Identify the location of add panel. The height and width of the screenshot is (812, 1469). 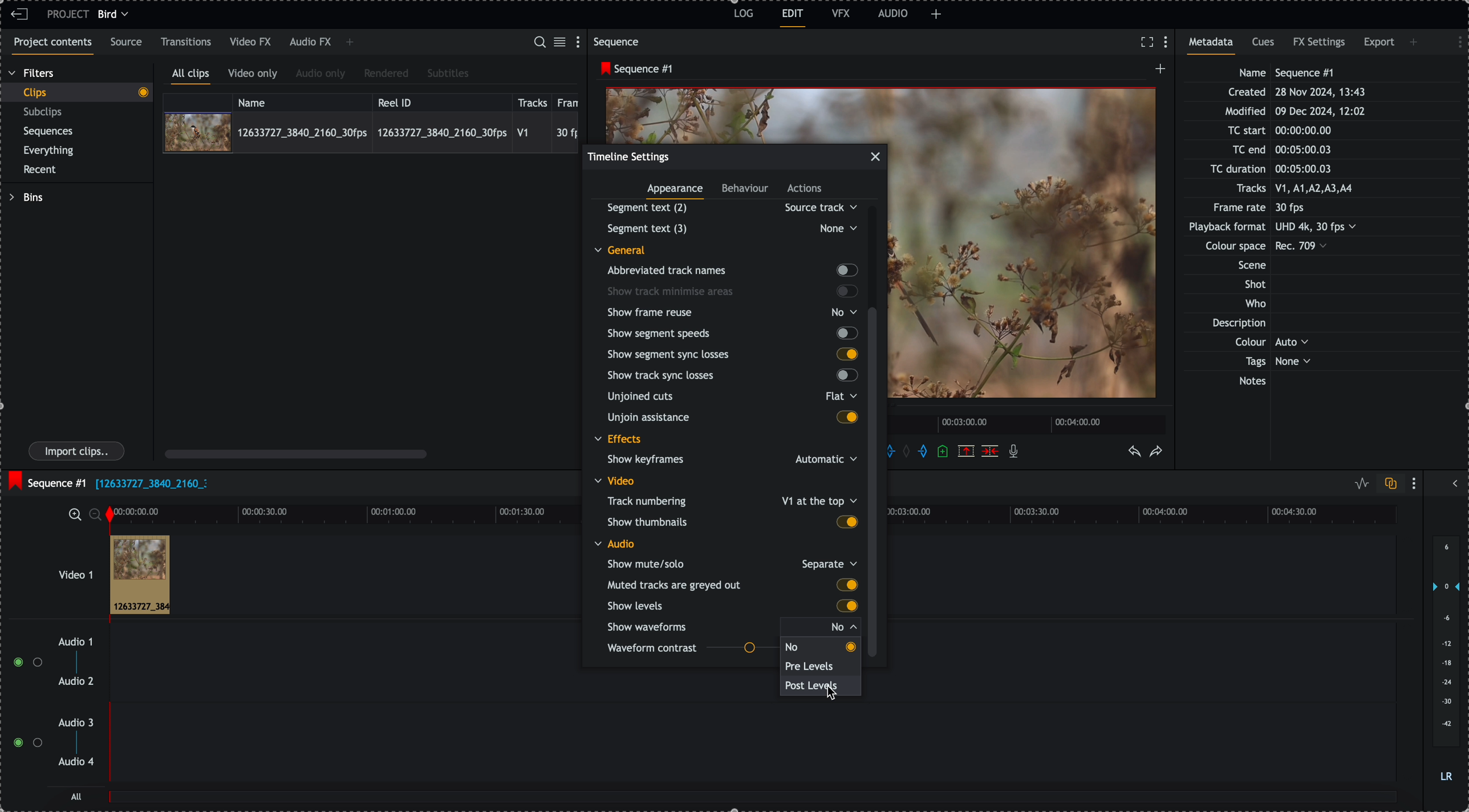
(1415, 42).